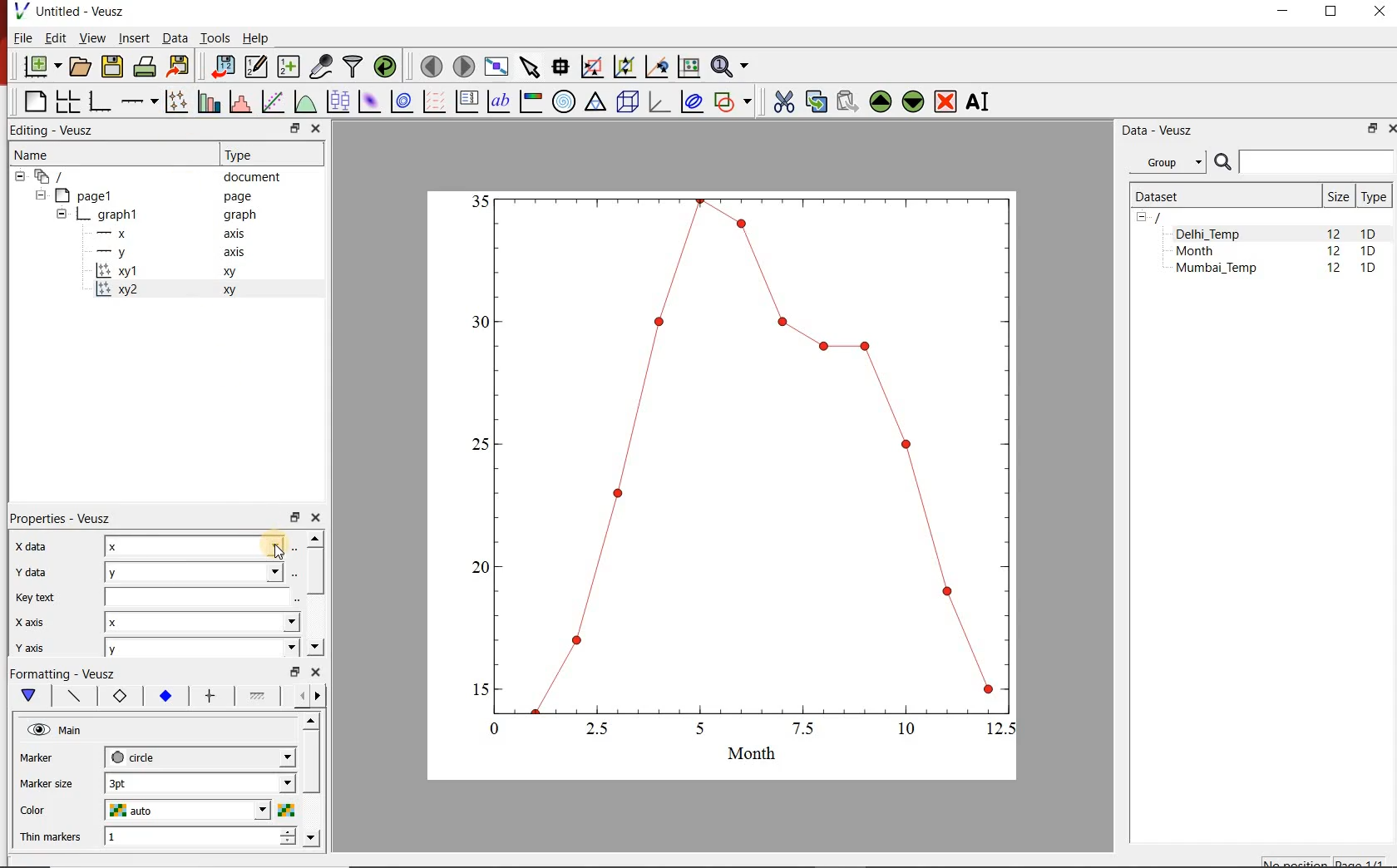 The height and width of the screenshot is (868, 1397). What do you see at coordinates (1368, 269) in the screenshot?
I see `1D` at bounding box center [1368, 269].